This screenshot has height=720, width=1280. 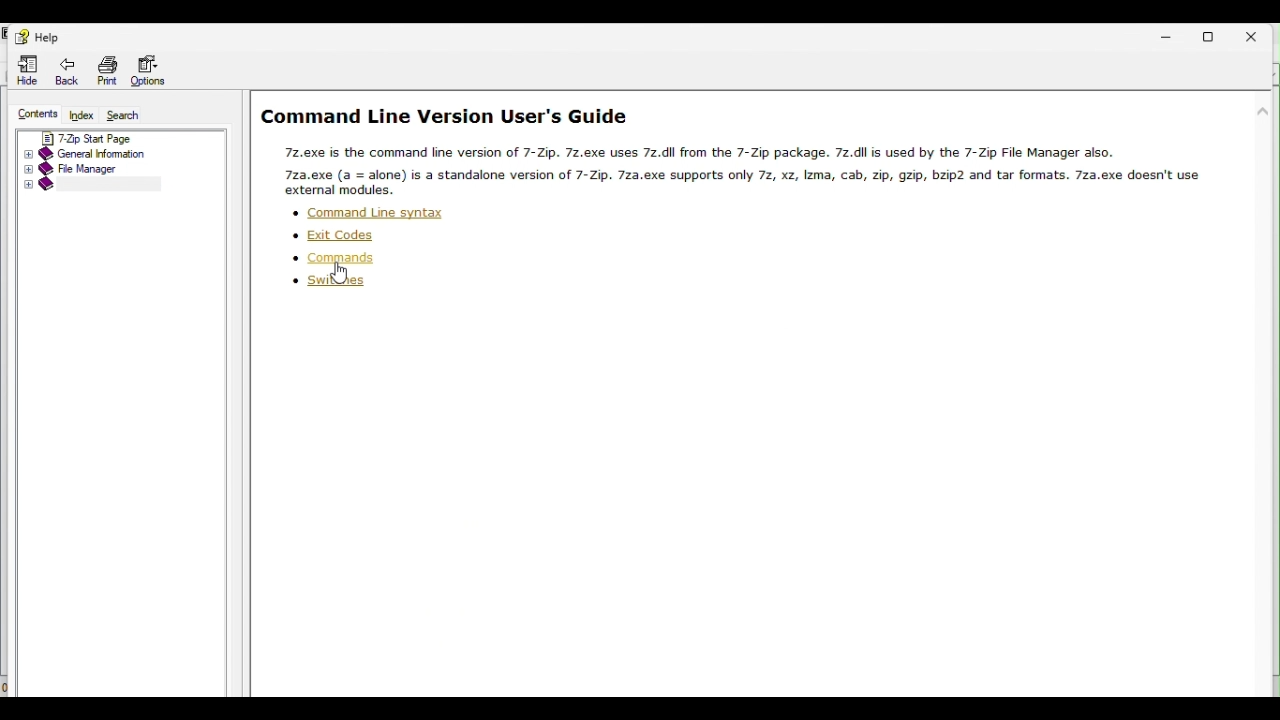 I want to click on 7 zip start page, so click(x=106, y=136).